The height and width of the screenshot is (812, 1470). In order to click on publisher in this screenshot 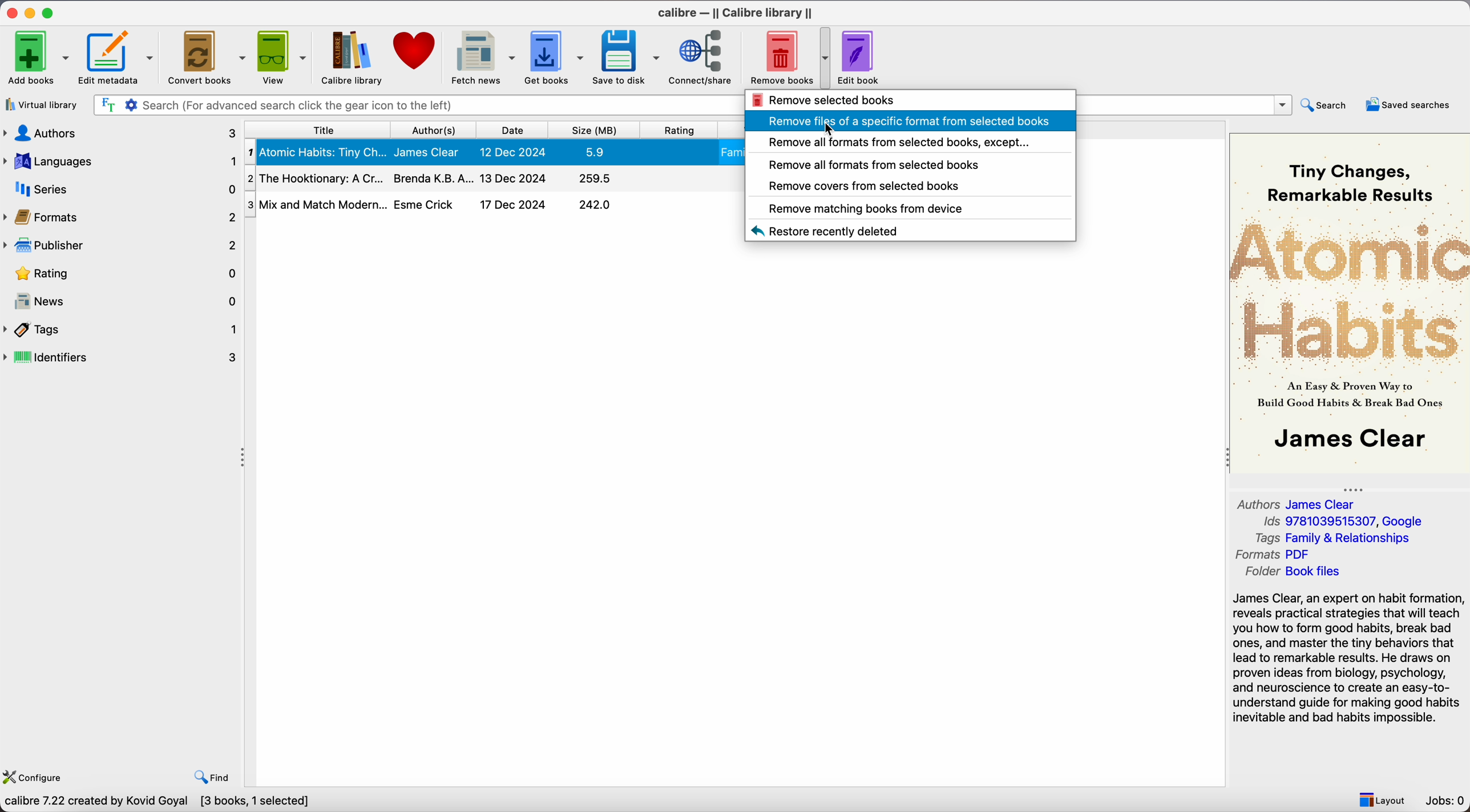, I will do `click(122, 245)`.